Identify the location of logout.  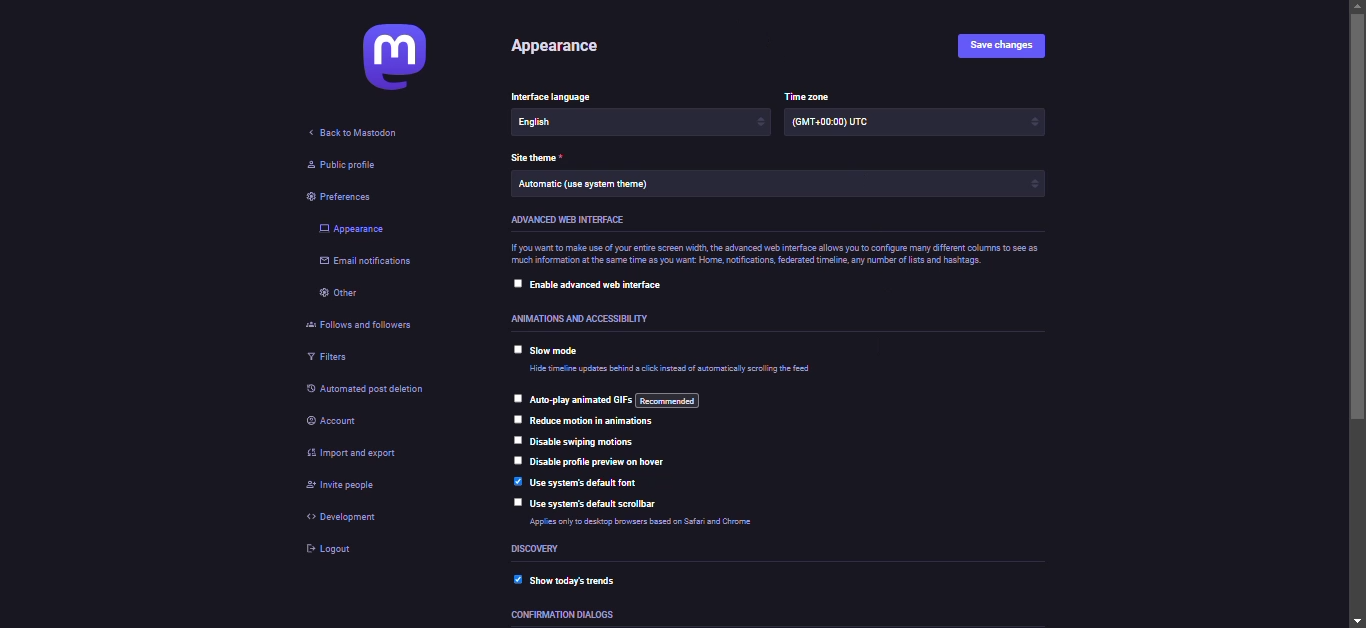
(335, 554).